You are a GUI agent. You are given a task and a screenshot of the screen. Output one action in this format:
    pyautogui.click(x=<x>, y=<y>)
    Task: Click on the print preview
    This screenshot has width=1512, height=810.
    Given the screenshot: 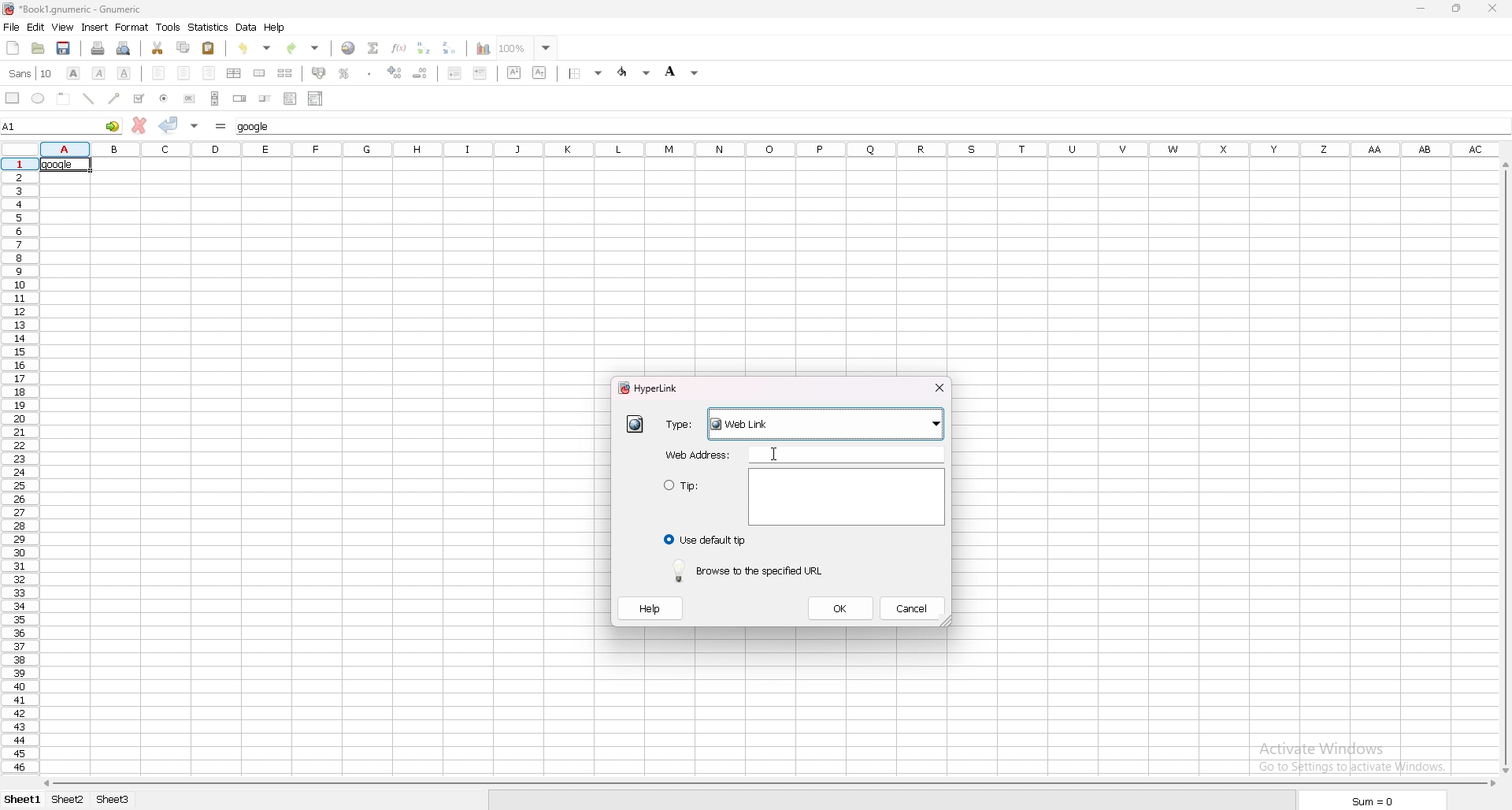 What is the action you would take?
    pyautogui.click(x=125, y=48)
    